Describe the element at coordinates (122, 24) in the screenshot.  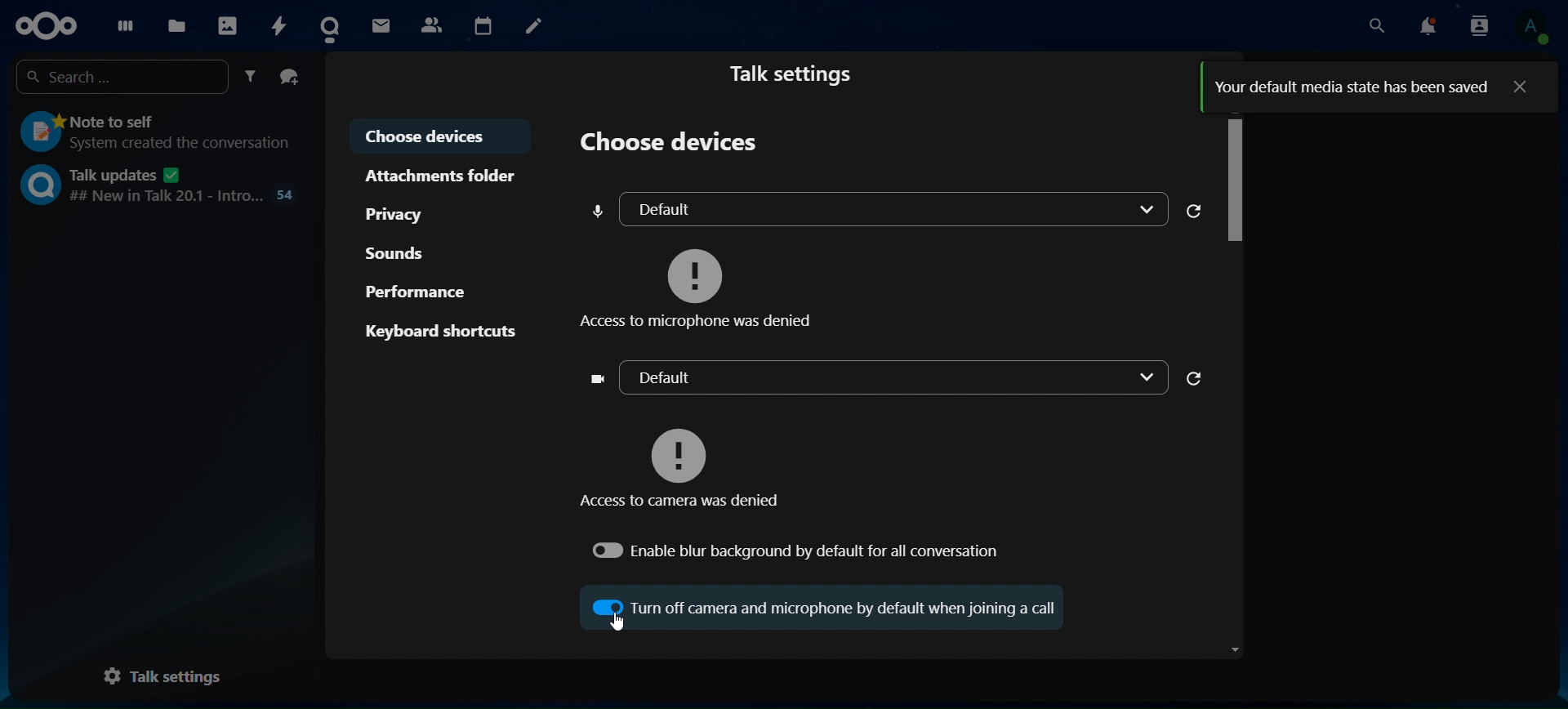
I see `dashboard` at that location.